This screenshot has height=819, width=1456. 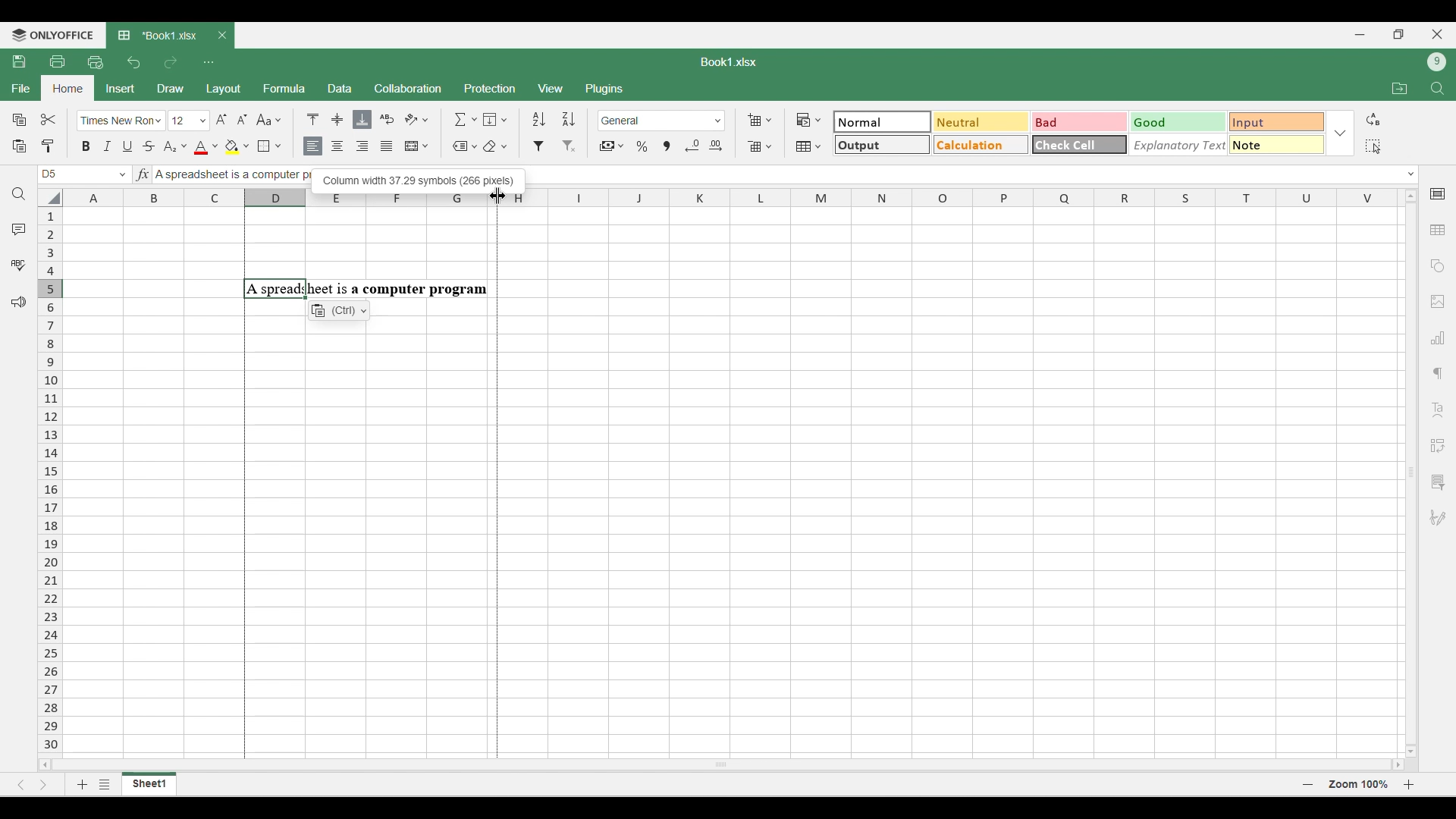 What do you see at coordinates (1399, 34) in the screenshot?
I see `Show in smaller tab` at bounding box center [1399, 34].